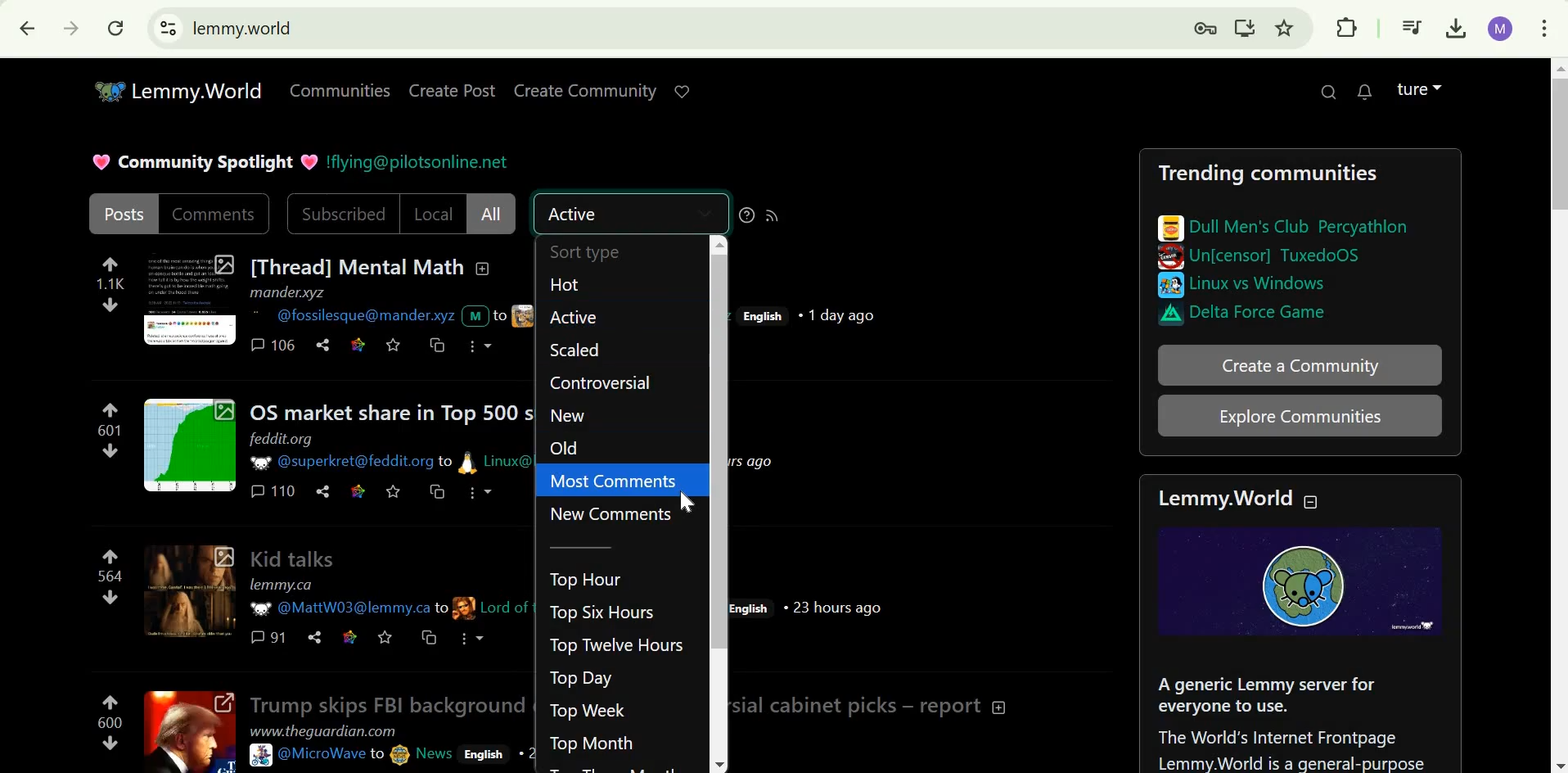 The height and width of the screenshot is (773, 1568). Describe the element at coordinates (387, 707) in the screenshot. I see `Trump skips FBI background checks for controversial cabinet picks - report` at that location.